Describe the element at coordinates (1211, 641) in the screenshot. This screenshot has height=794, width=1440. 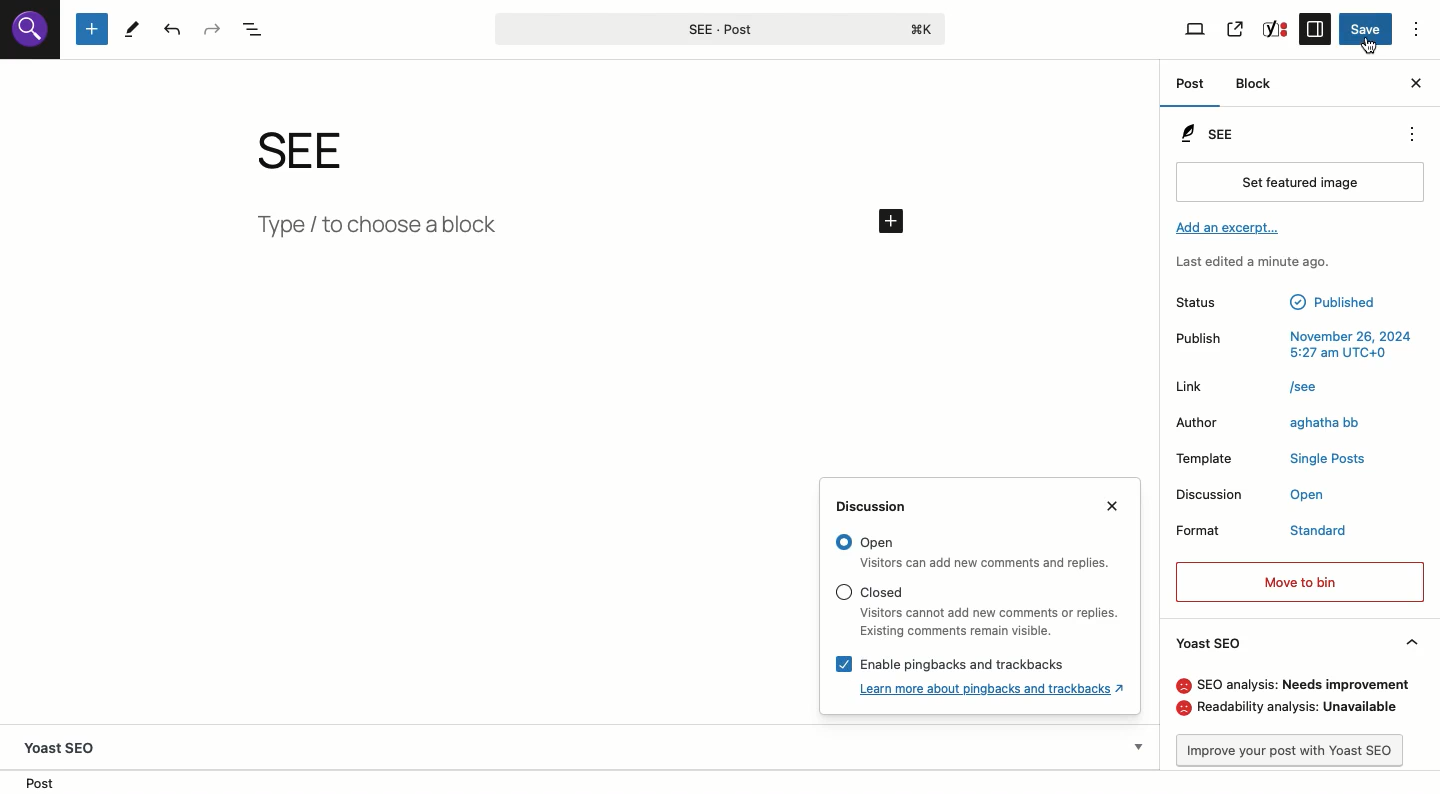
I see `Yoast SEO` at that location.